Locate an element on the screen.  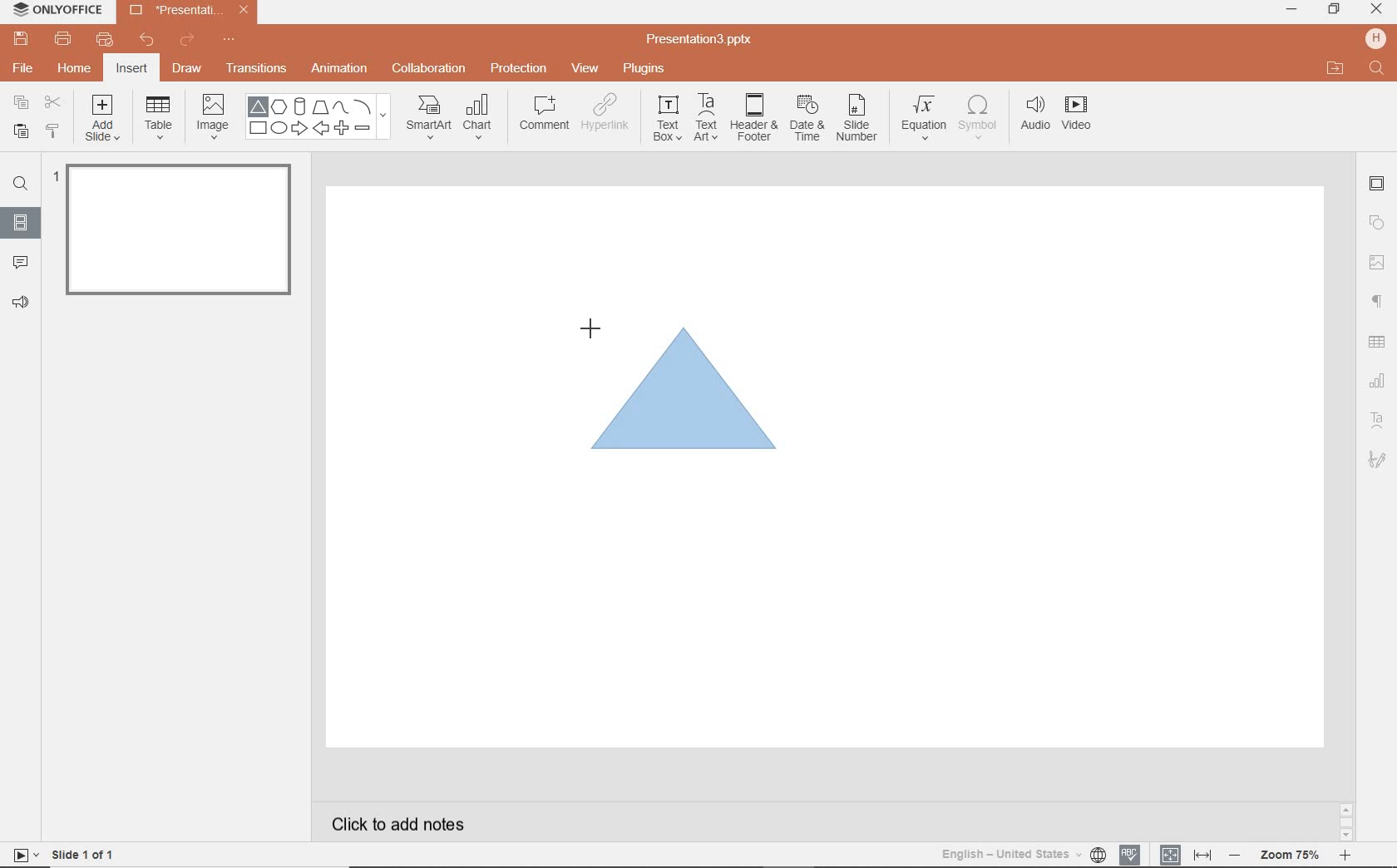
zoom out is located at coordinates (1237, 856).